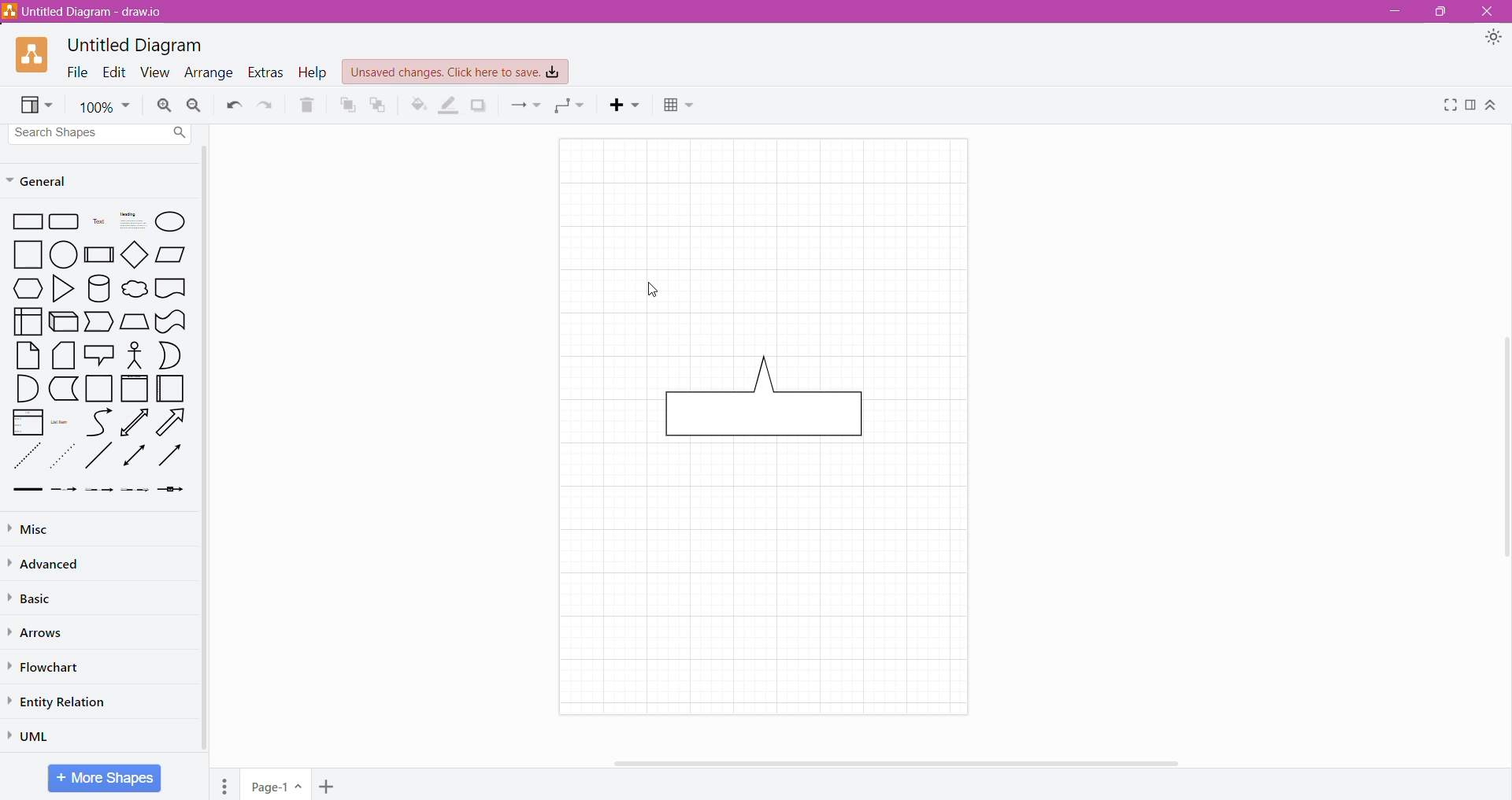 Image resolution: width=1512 pixels, height=800 pixels. Describe the element at coordinates (135, 492) in the screenshot. I see `Dotted Arrow ` at that location.